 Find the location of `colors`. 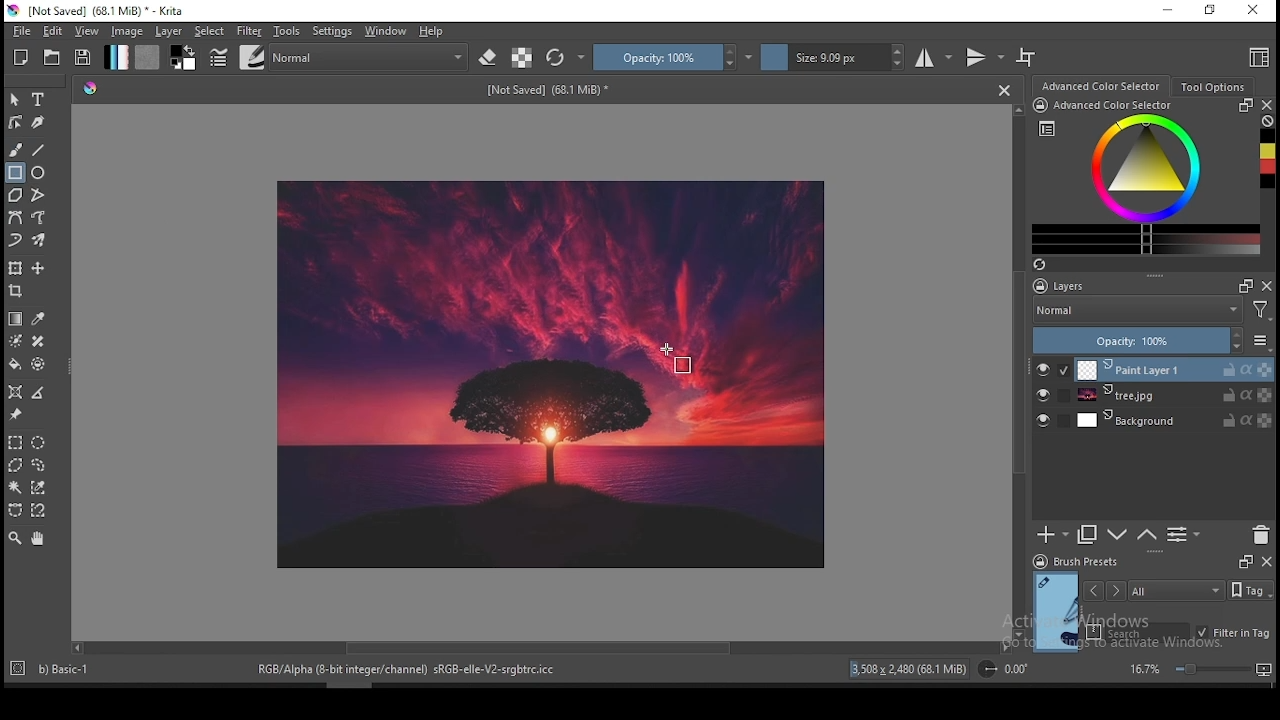

colors is located at coordinates (184, 58).